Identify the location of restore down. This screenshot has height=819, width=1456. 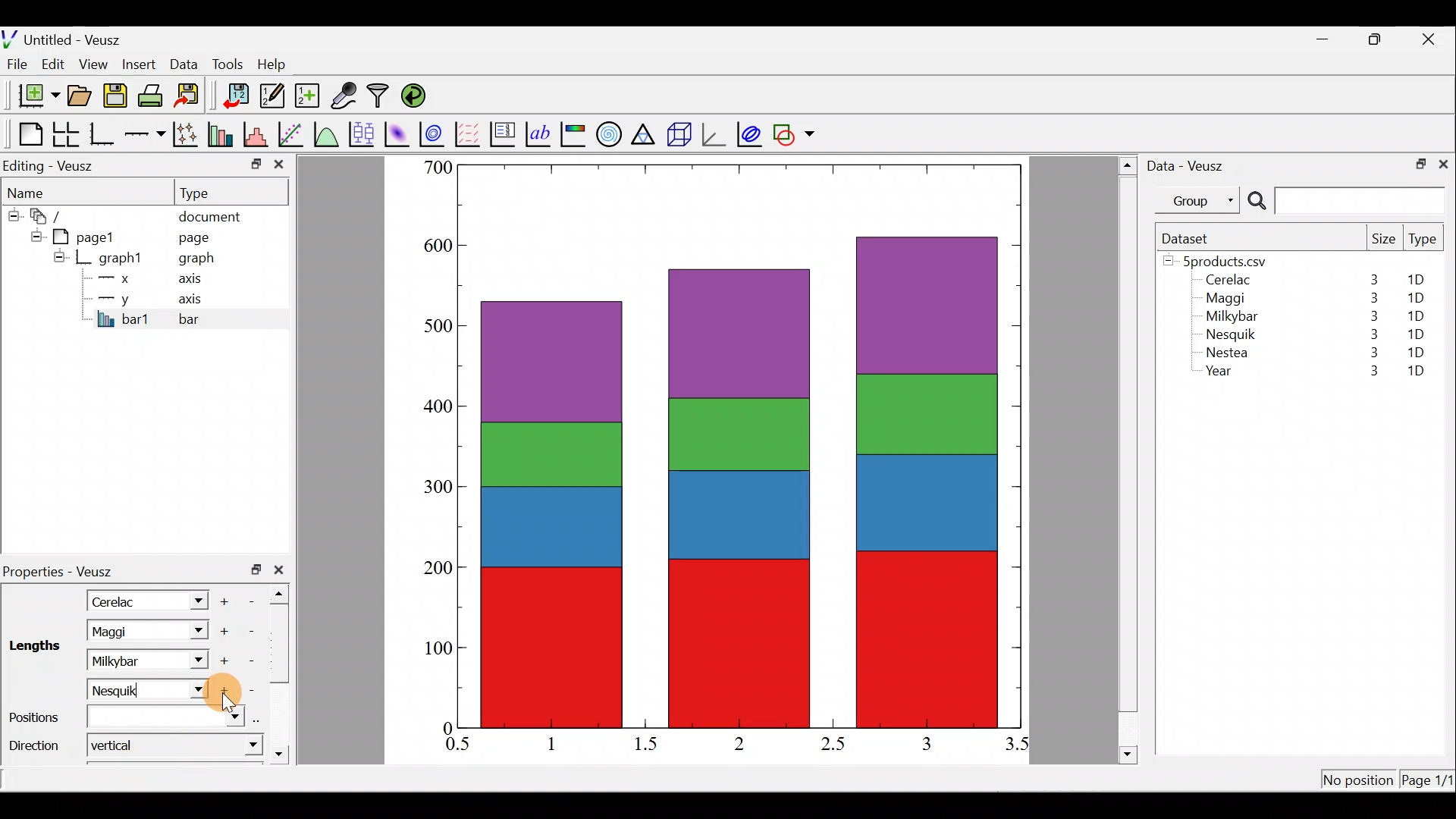
(1416, 162).